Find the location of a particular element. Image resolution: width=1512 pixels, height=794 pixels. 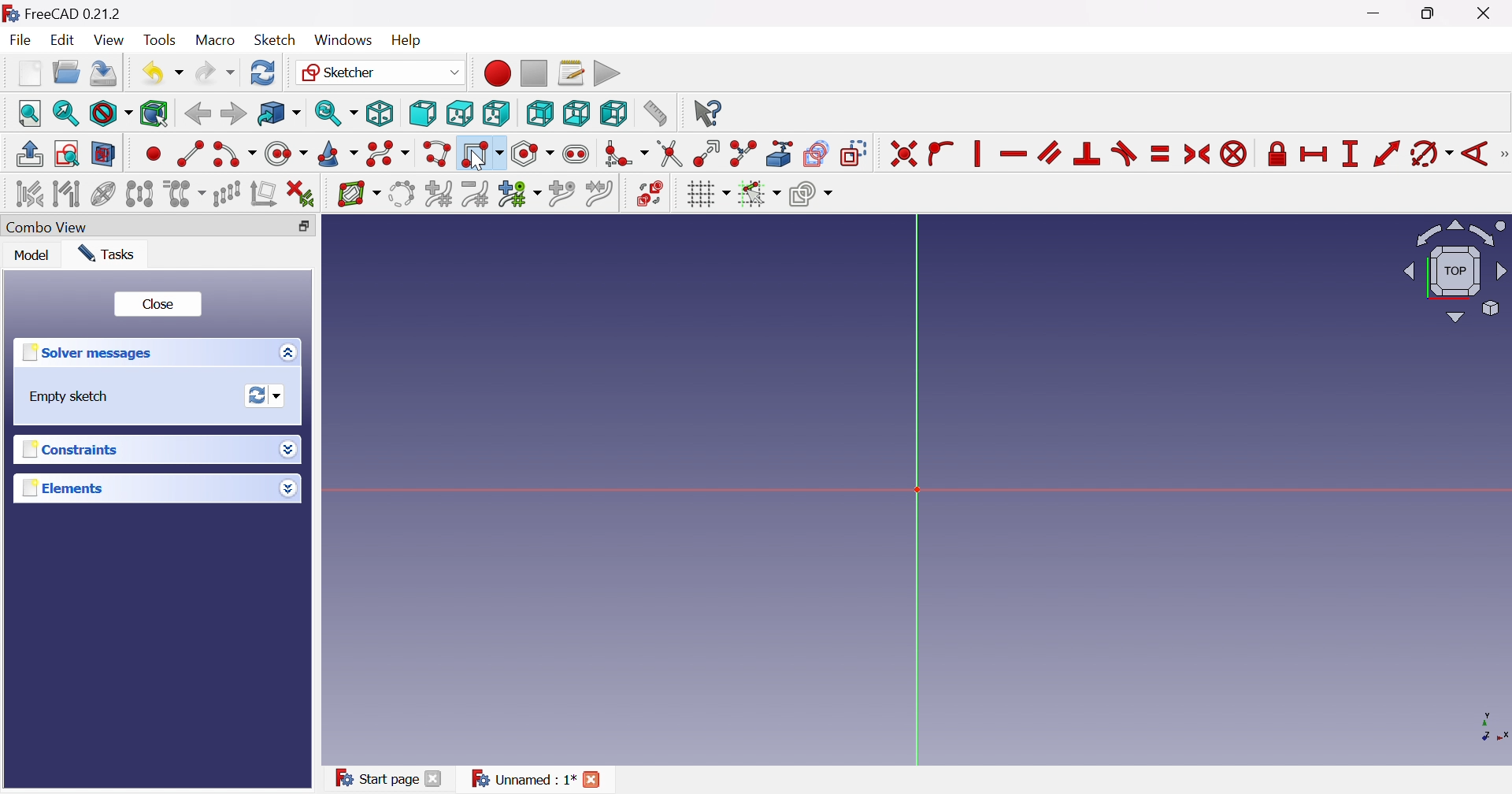

FreeCAD 0.21.2 is located at coordinates (61, 11).